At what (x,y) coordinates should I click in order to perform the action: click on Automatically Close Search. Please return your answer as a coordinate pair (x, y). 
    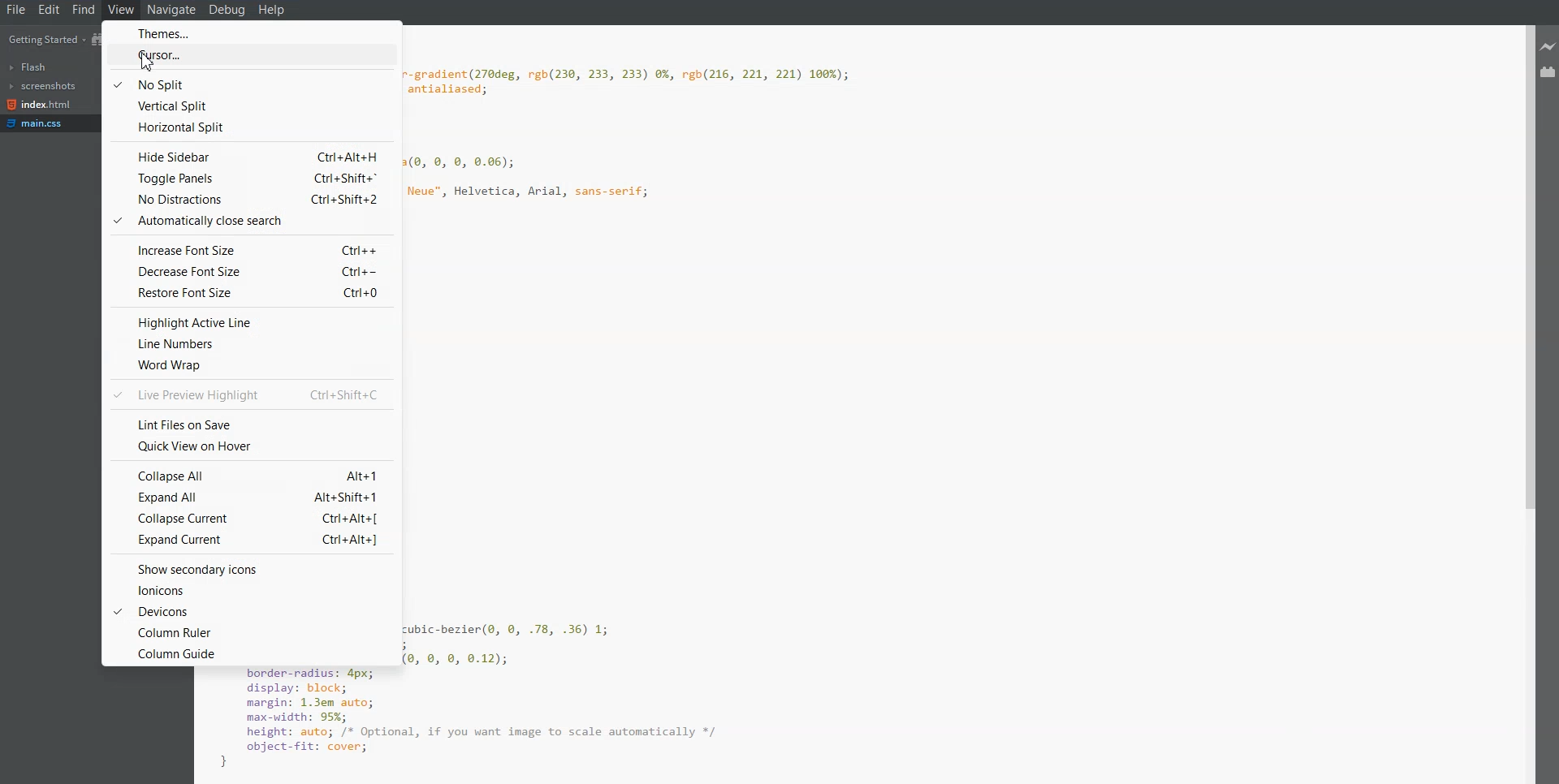
    Looking at the image, I should click on (248, 222).